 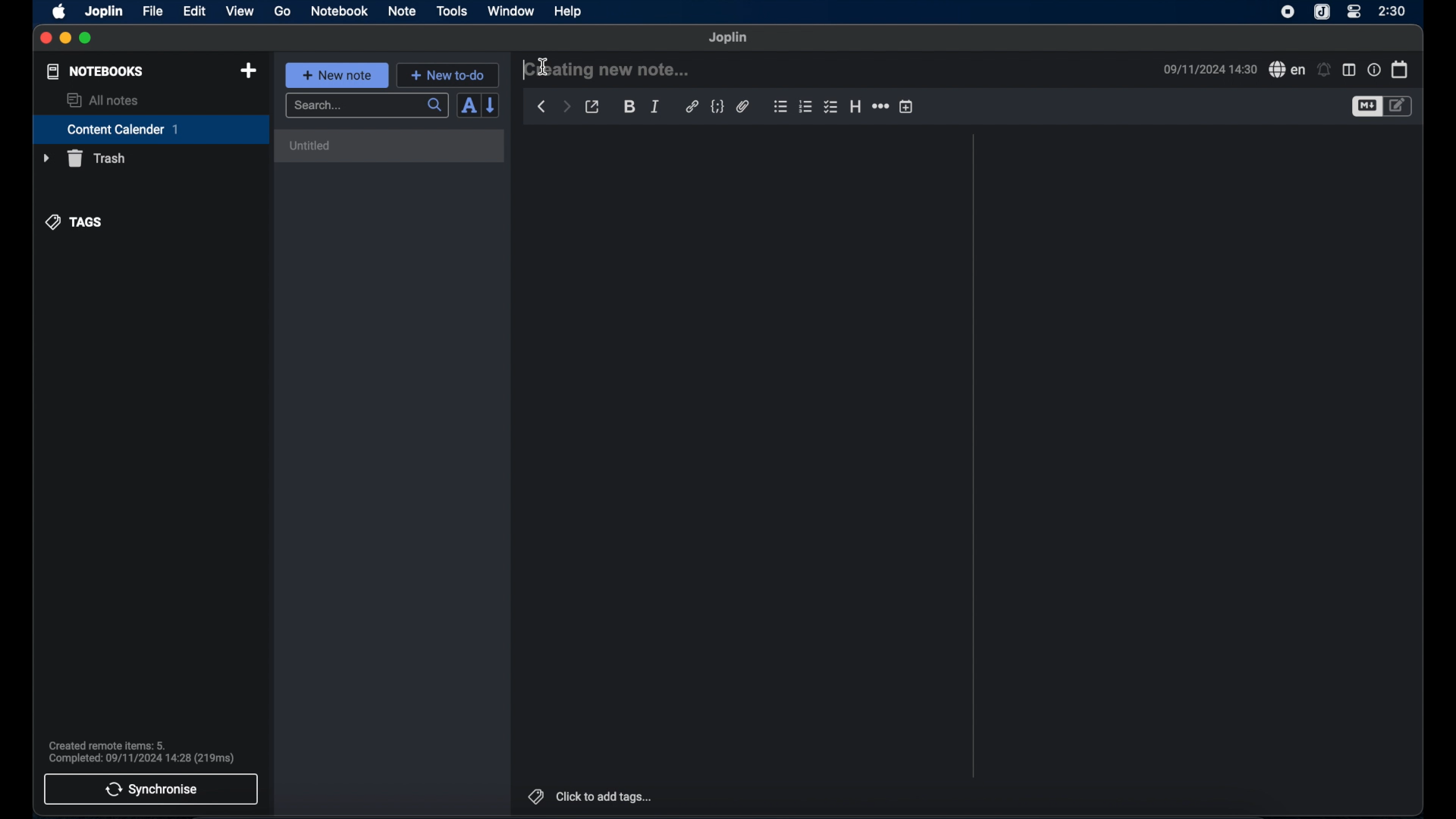 I want to click on Created remote items: 5.
Completed: 09/11/2024 14:28 (219ms), so click(x=146, y=750).